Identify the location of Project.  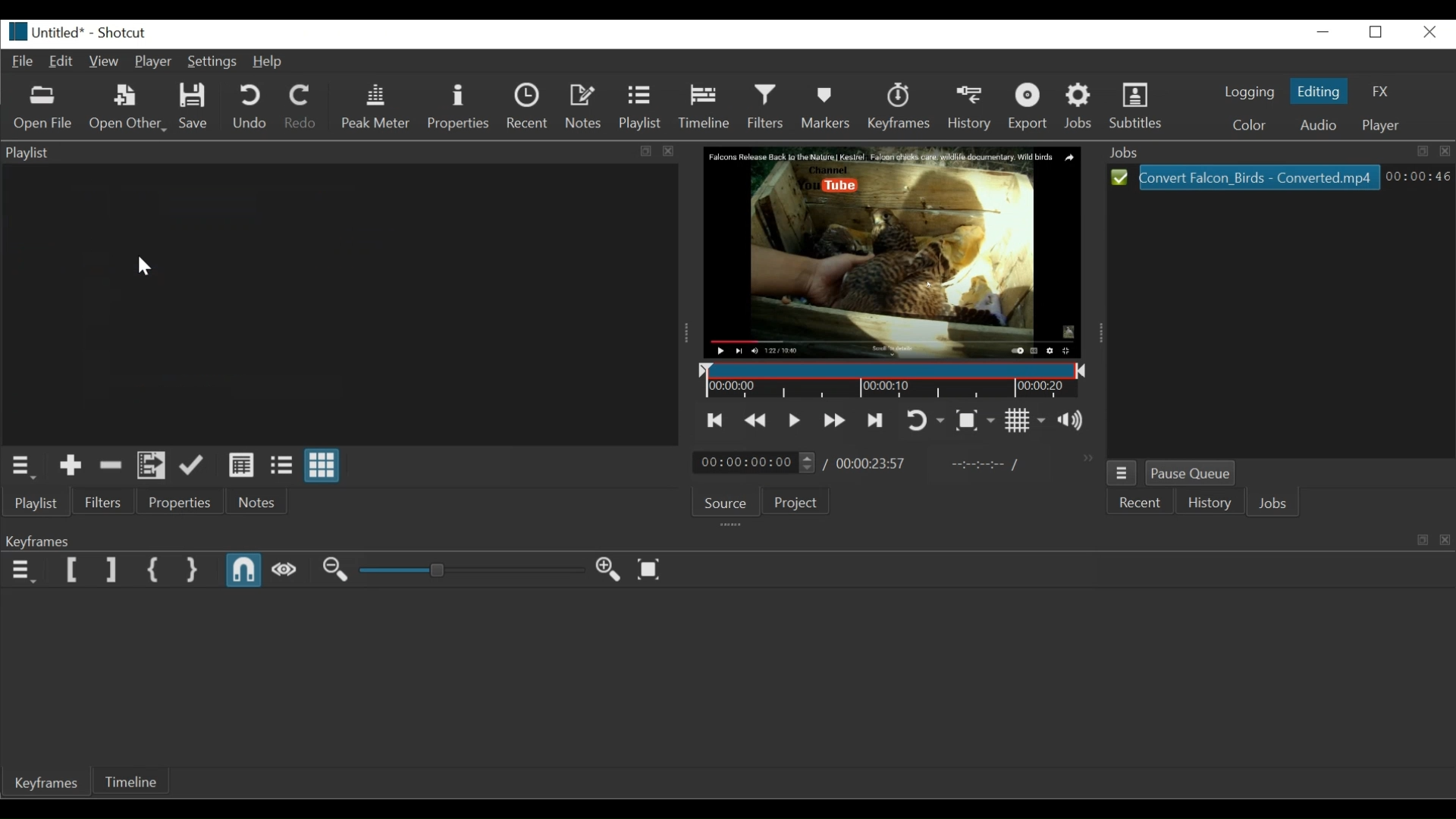
(799, 504).